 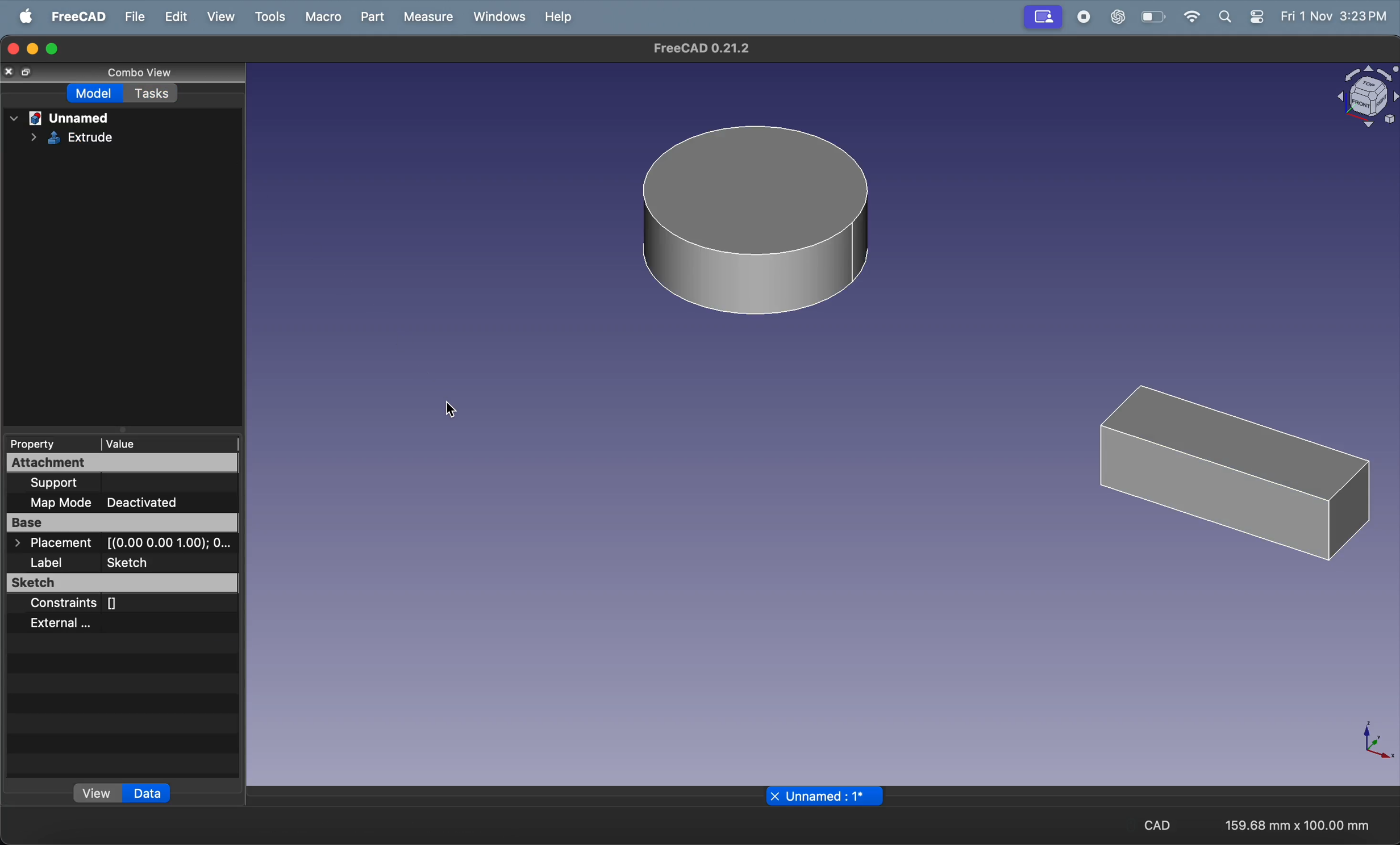 What do you see at coordinates (58, 624) in the screenshot?
I see `External ...` at bounding box center [58, 624].